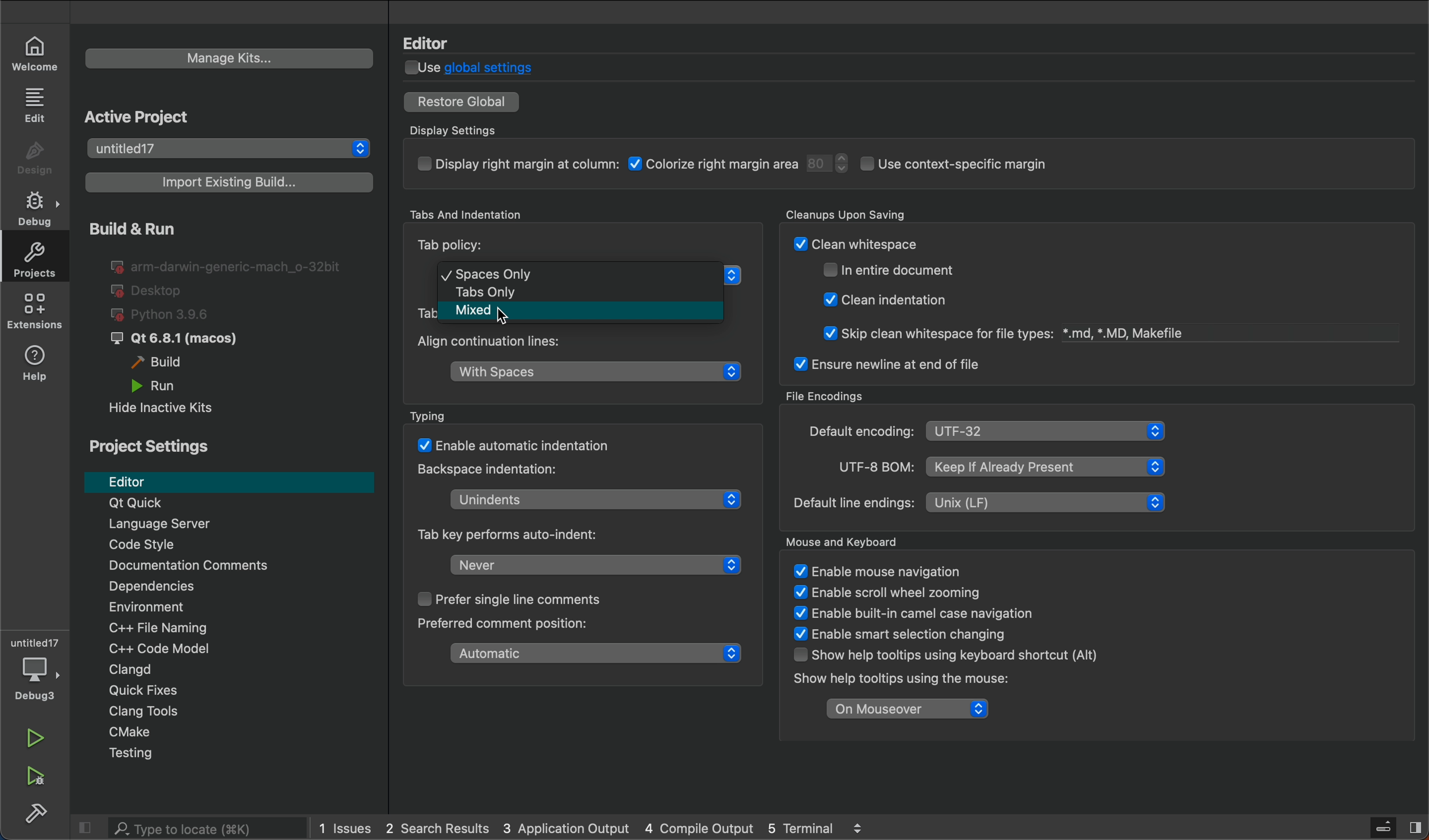 The image size is (1429, 840). I want to click on Server, so click(1384, 826).